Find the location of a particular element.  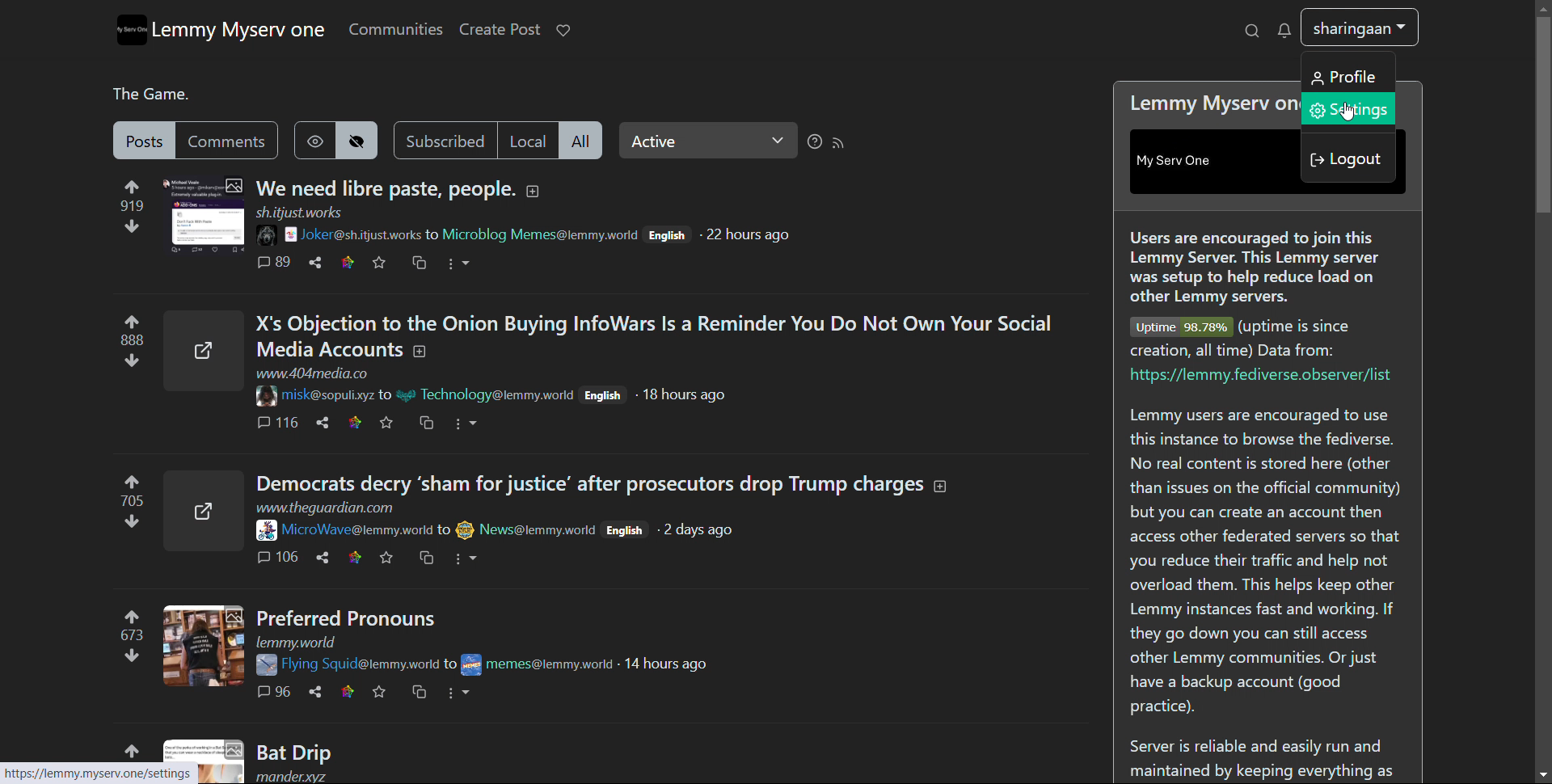

notifications is located at coordinates (1284, 30).